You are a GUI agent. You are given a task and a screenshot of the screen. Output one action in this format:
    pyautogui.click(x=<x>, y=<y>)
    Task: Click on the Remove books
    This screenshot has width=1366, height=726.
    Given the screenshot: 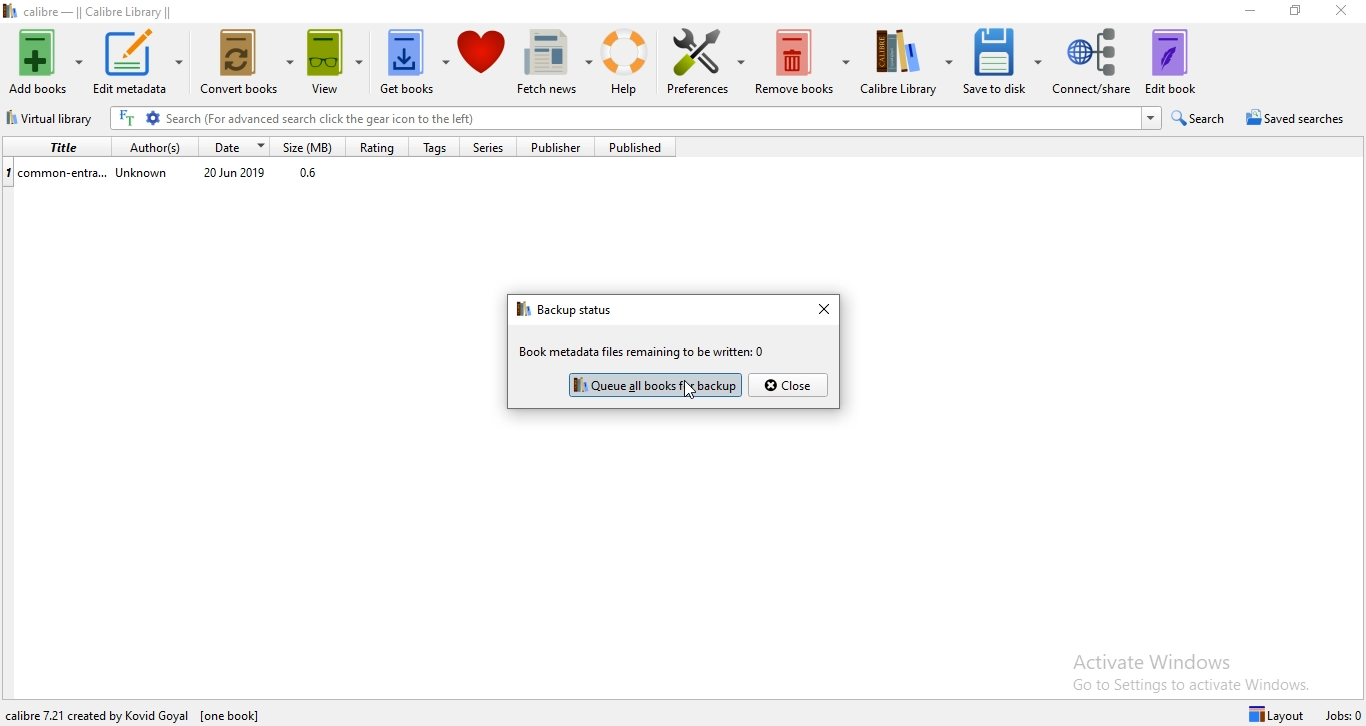 What is the action you would take?
    pyautogui.click(x=802, y=65)
    